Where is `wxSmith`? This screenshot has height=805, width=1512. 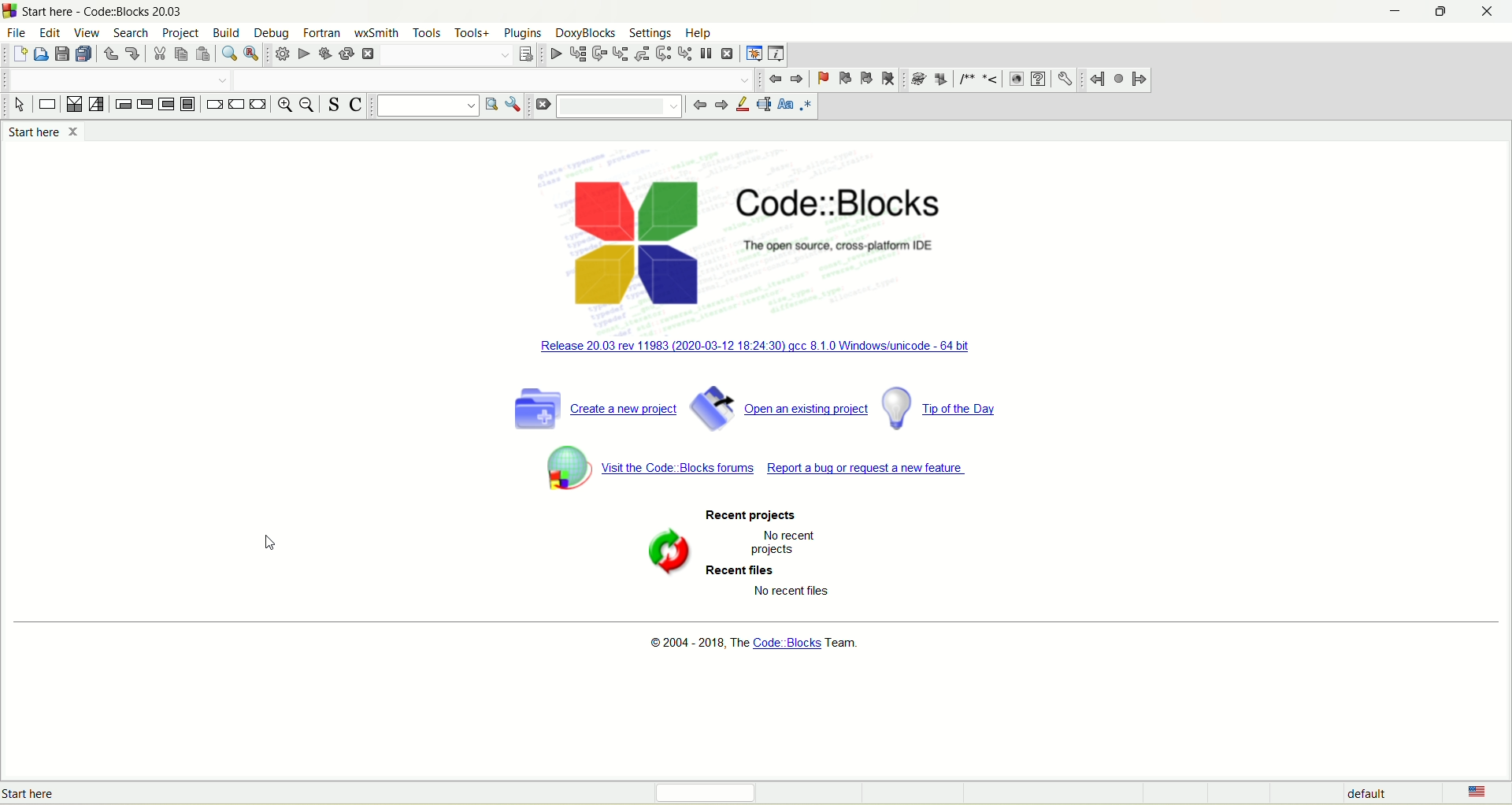 wxSmith is located at coordinates (376, 32).